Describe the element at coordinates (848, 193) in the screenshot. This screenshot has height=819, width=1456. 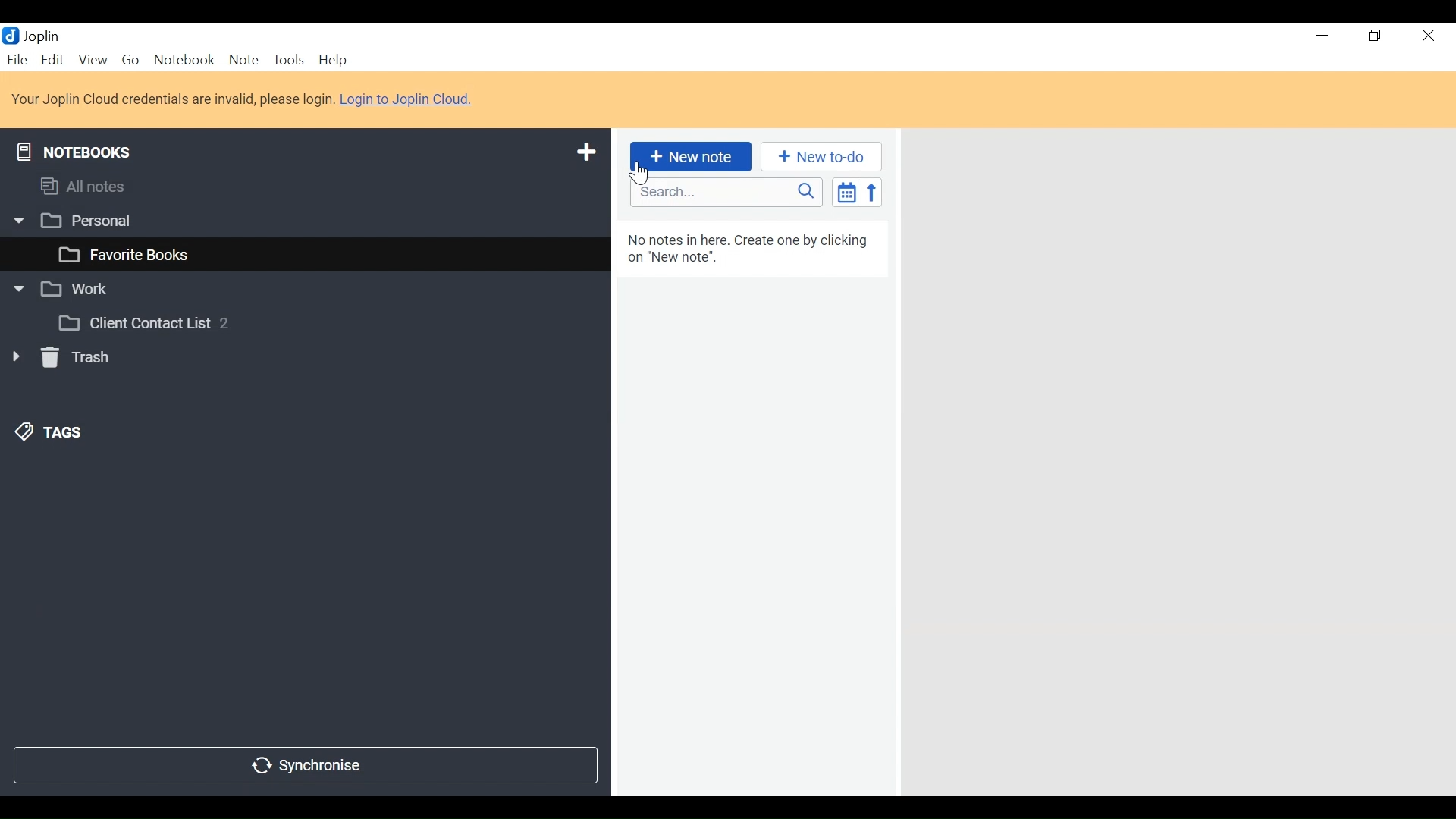
I see `Toggle sort order field ` at that location.